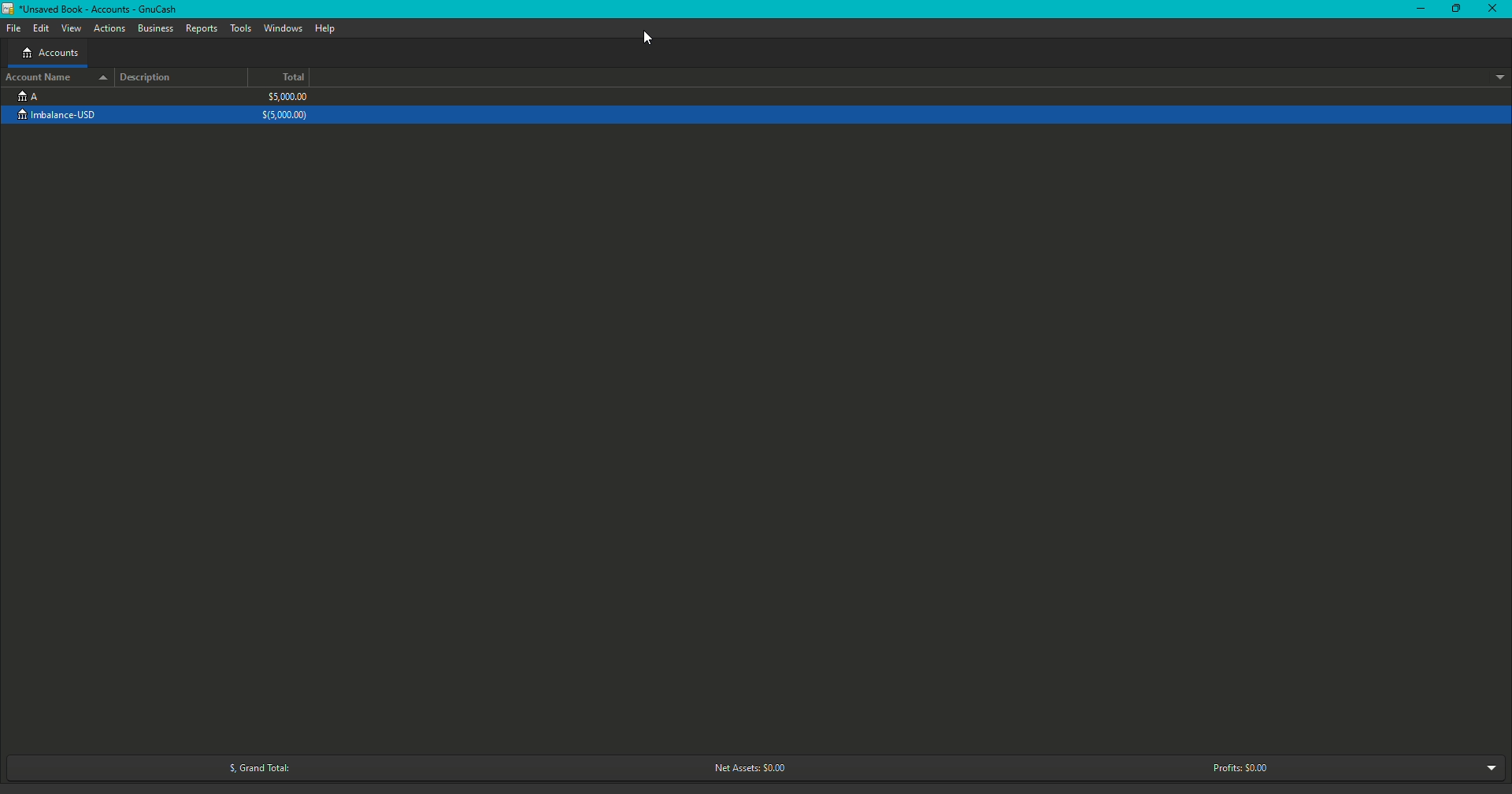  I want to click on Accounts, so click(50, 54).